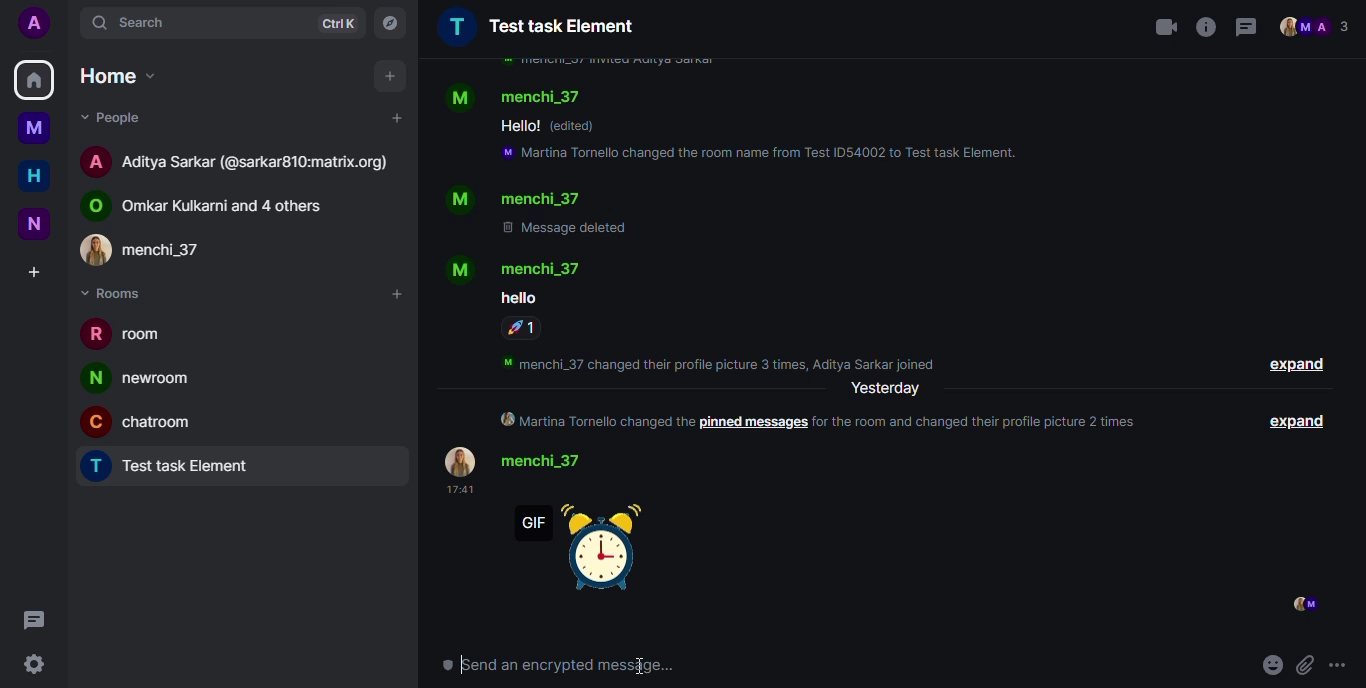 The height and width of the screenshot is (688, 1366). Describe the element at coordinates (216, 204) in the screenshot. I see `contact` at that location.